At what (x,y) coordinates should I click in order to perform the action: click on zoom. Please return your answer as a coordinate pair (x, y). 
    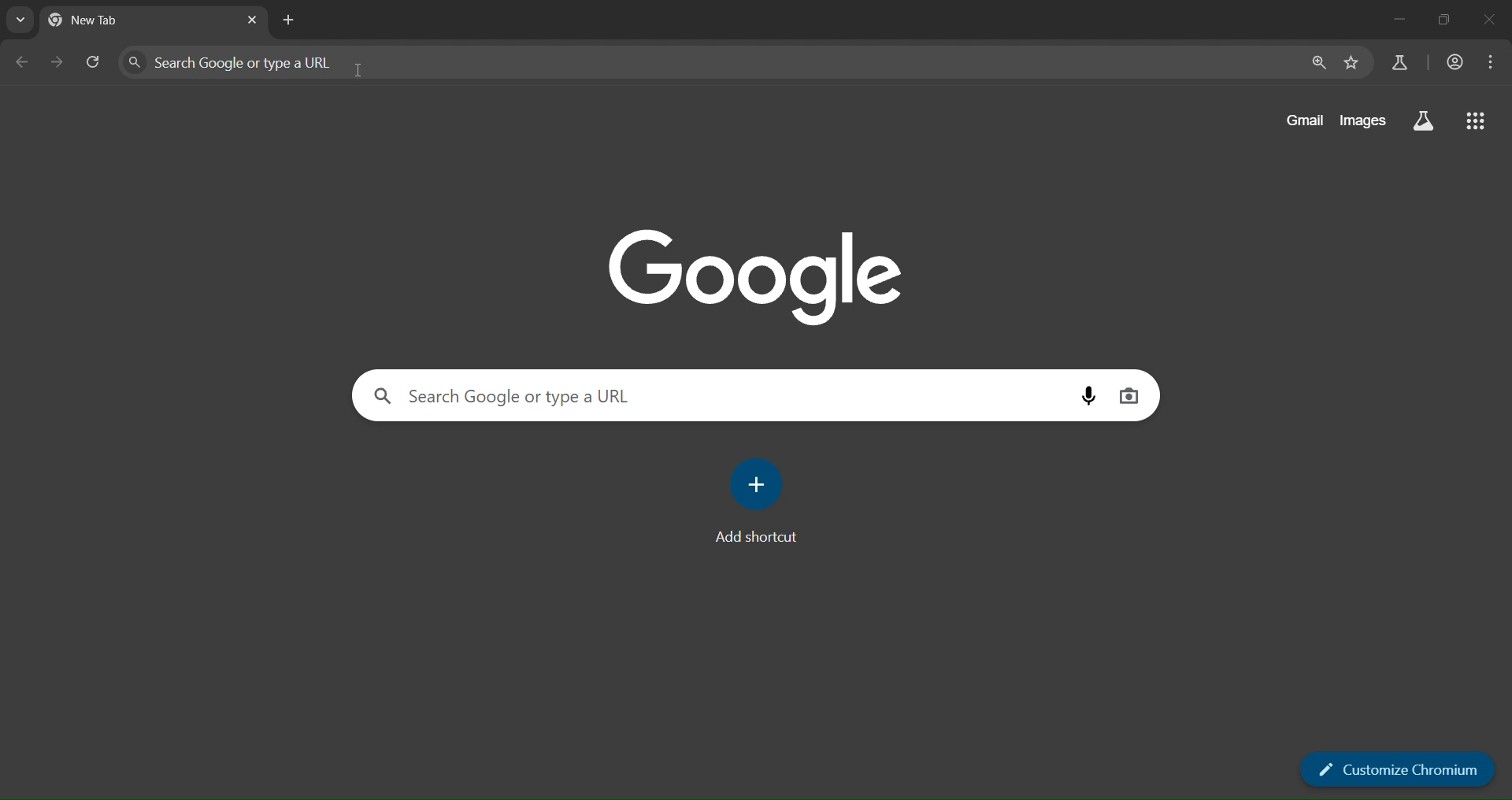
    Looking at the image, I should click on (1317, 61).